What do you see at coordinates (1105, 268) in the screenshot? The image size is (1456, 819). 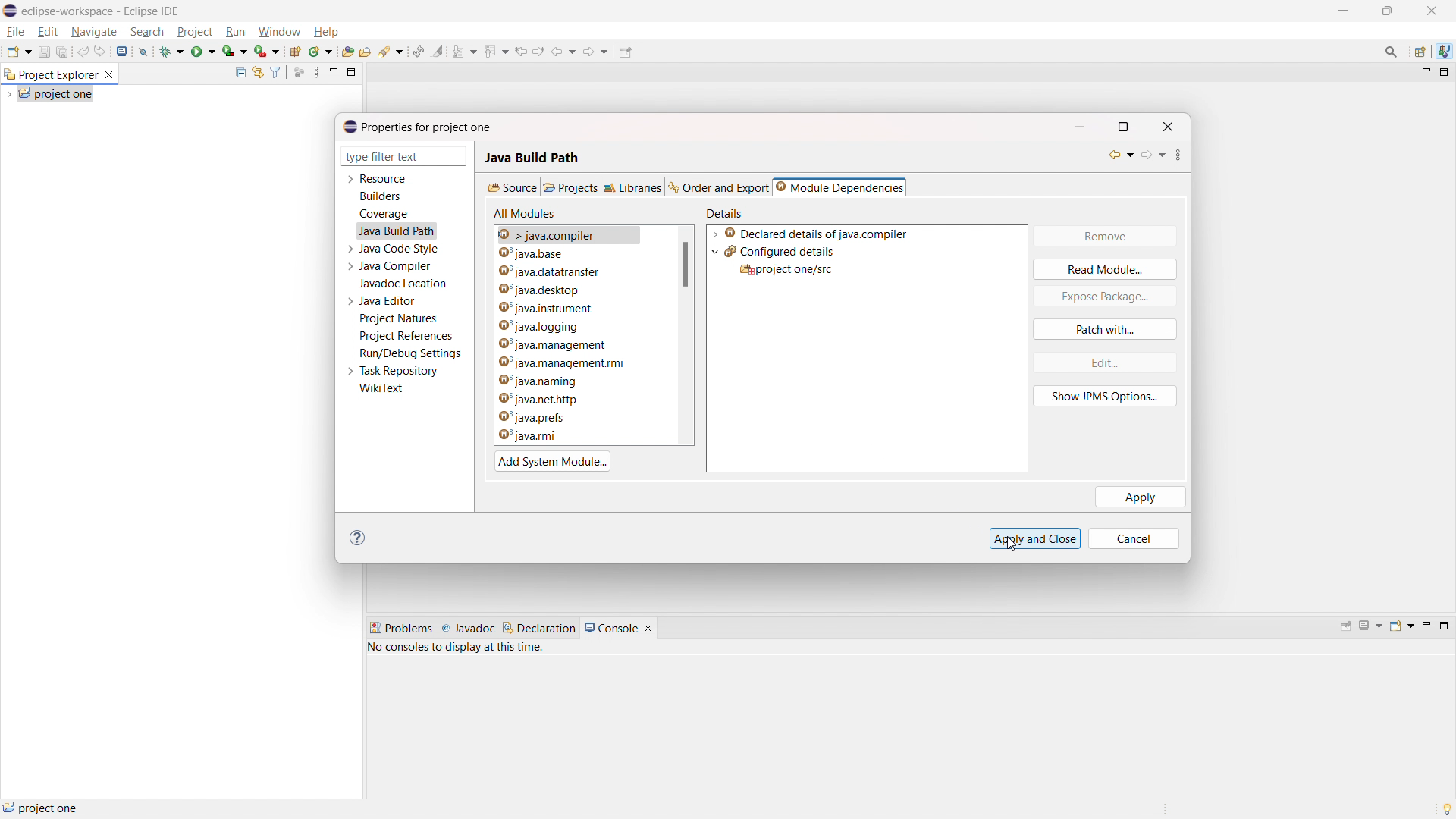 I see `read module` at bounding box center [1105, 268].